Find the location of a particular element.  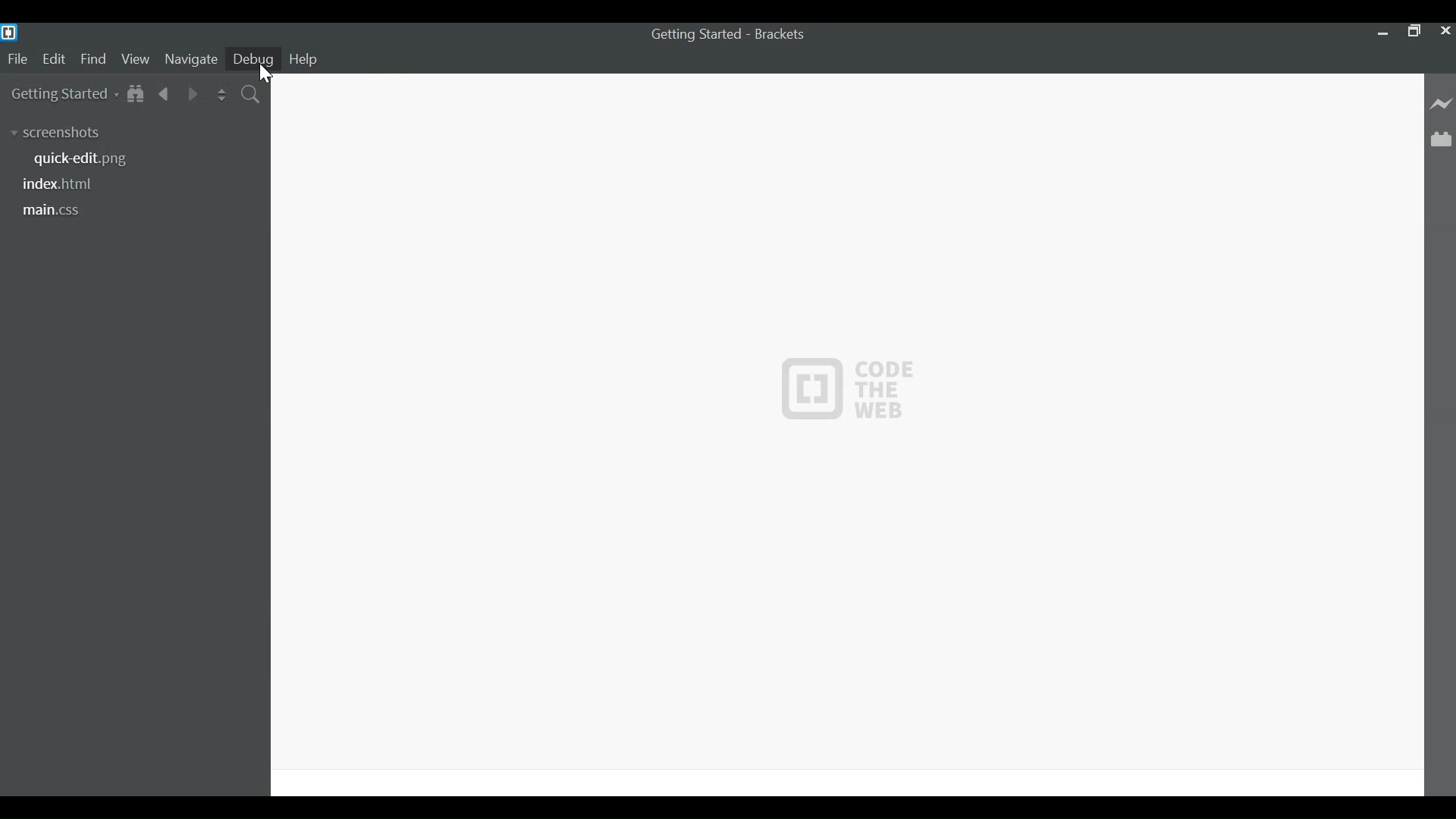

Navigate is located at coordinates (190, 60).